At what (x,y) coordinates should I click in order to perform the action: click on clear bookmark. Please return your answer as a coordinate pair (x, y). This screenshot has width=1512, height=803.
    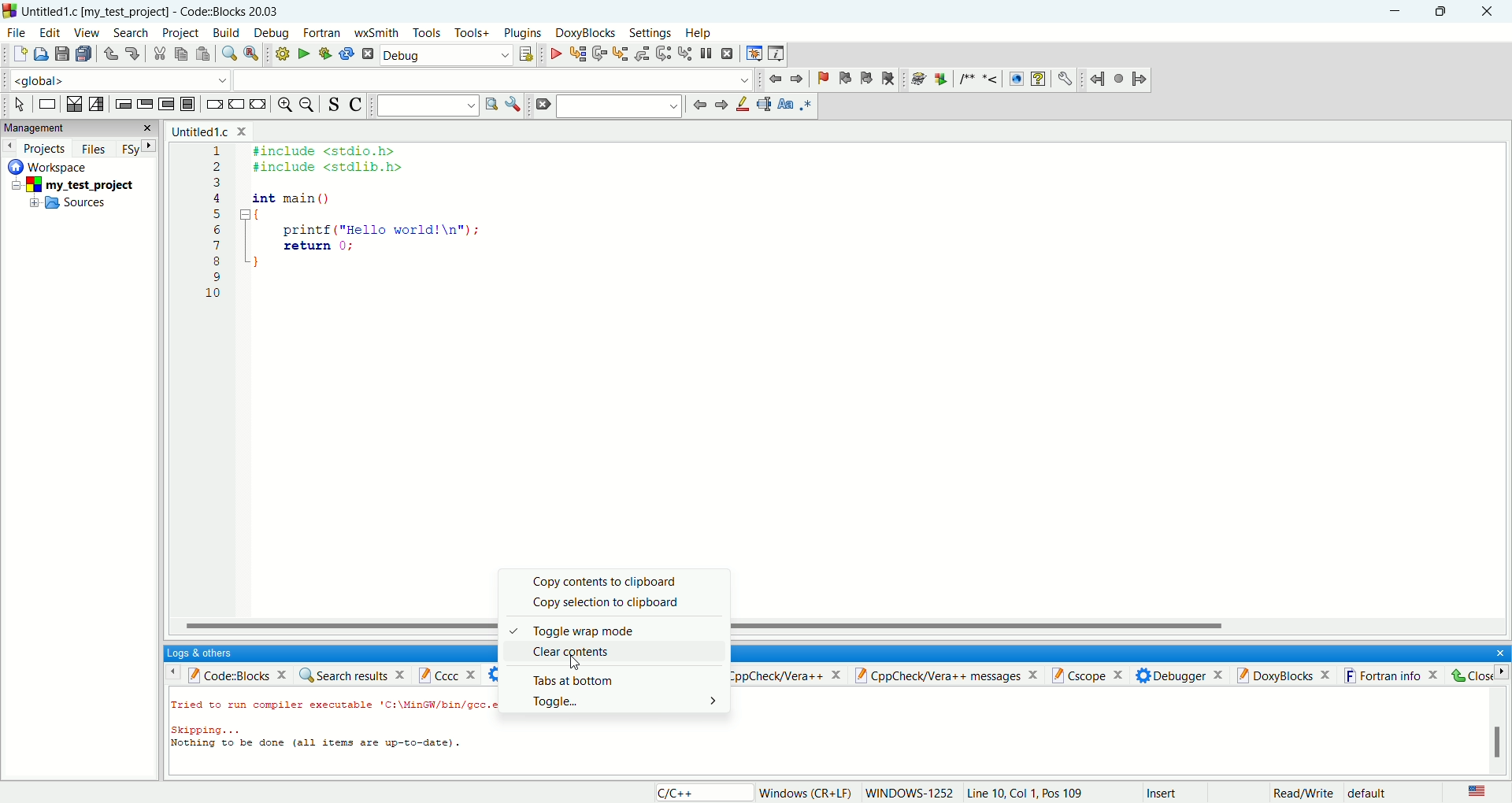
    Looking at the image, I should click on (891, 81).